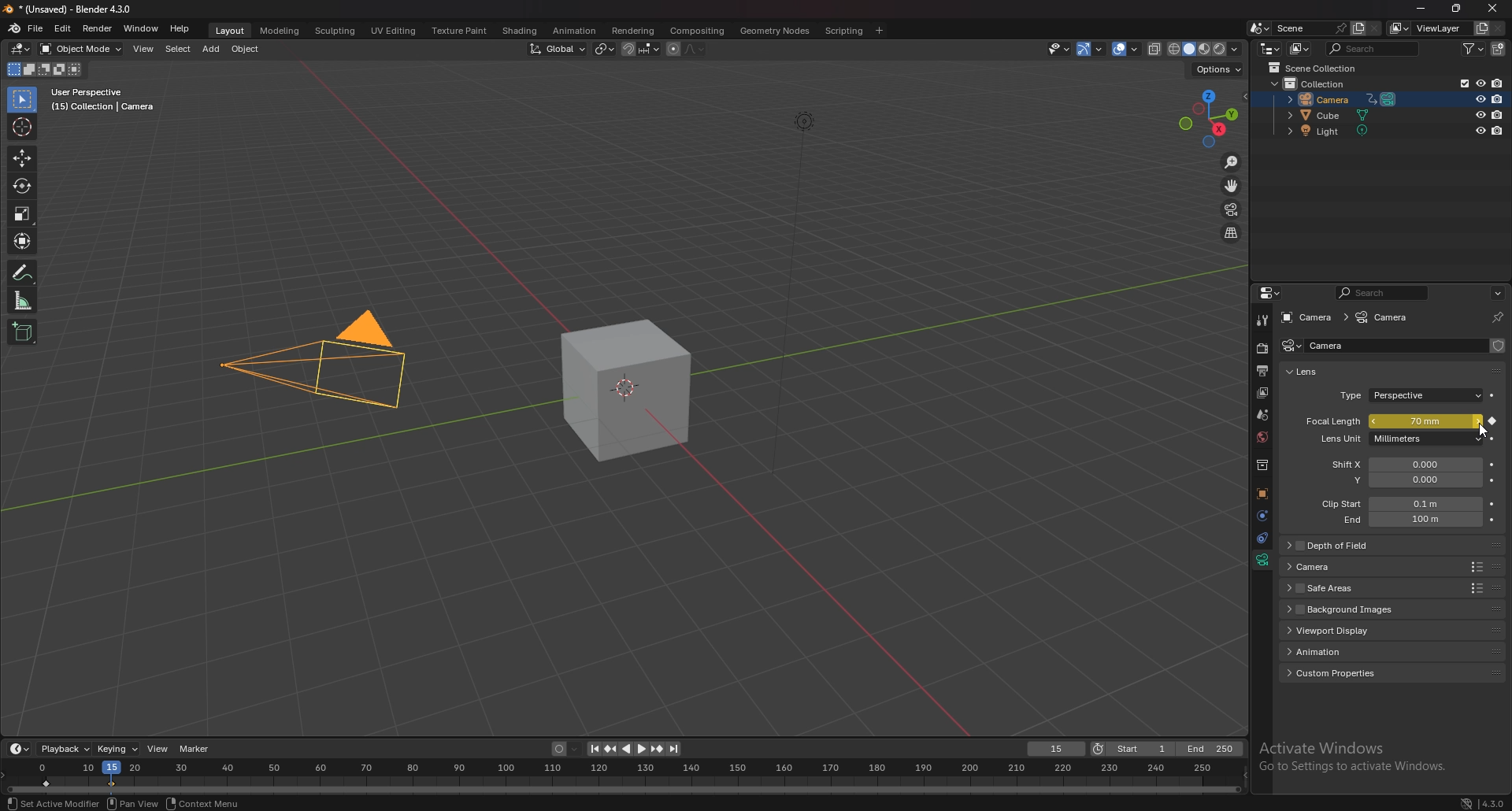 This screenshot has height=811, width=1512. What do you see at coordinates (1338, 98) in the screenshot?
I see `camera` at bounding box center [1338, 98].